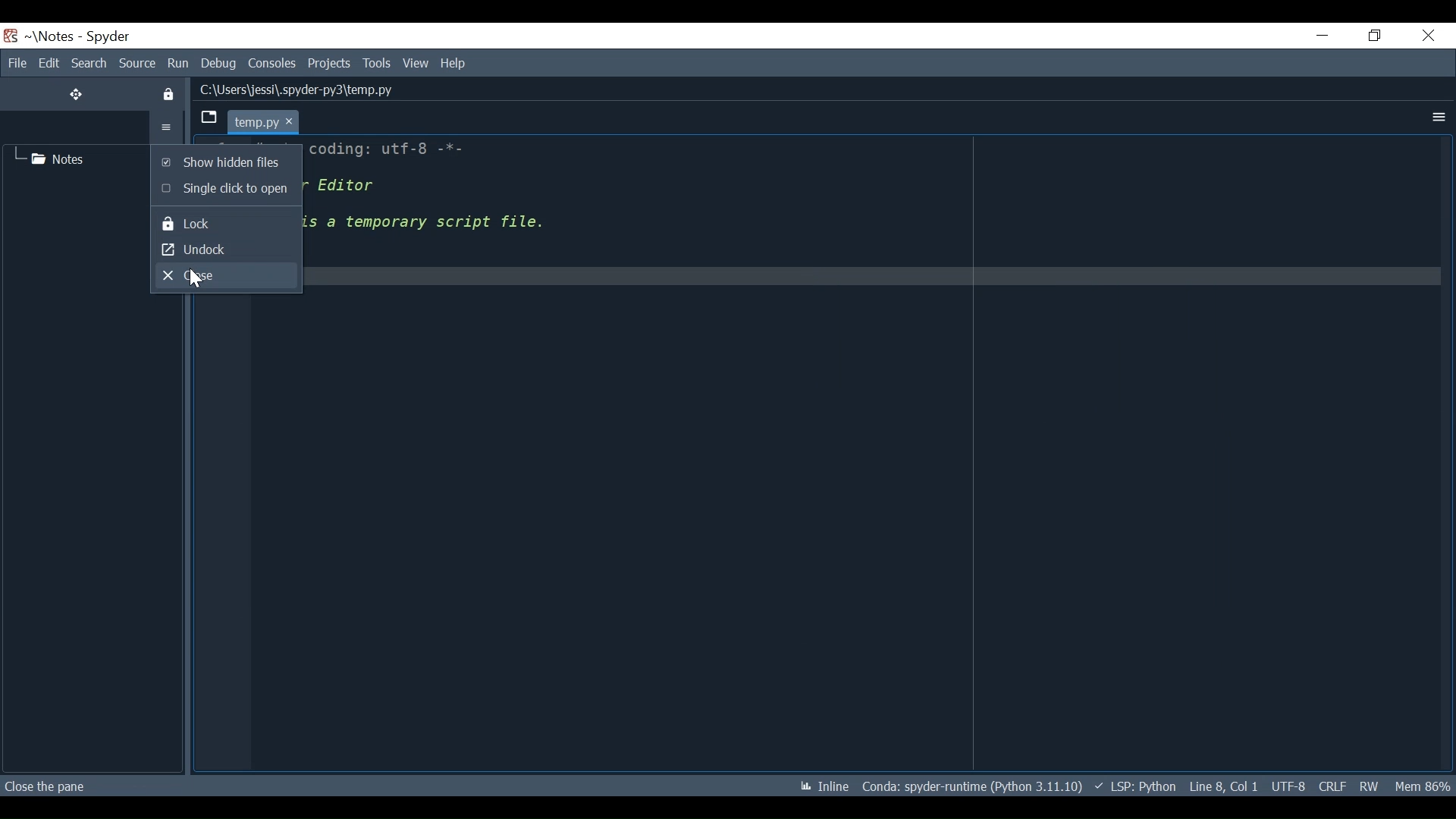  Describe the element at coordinates (137, 64) in the screenshot. I see `Source` at that location.